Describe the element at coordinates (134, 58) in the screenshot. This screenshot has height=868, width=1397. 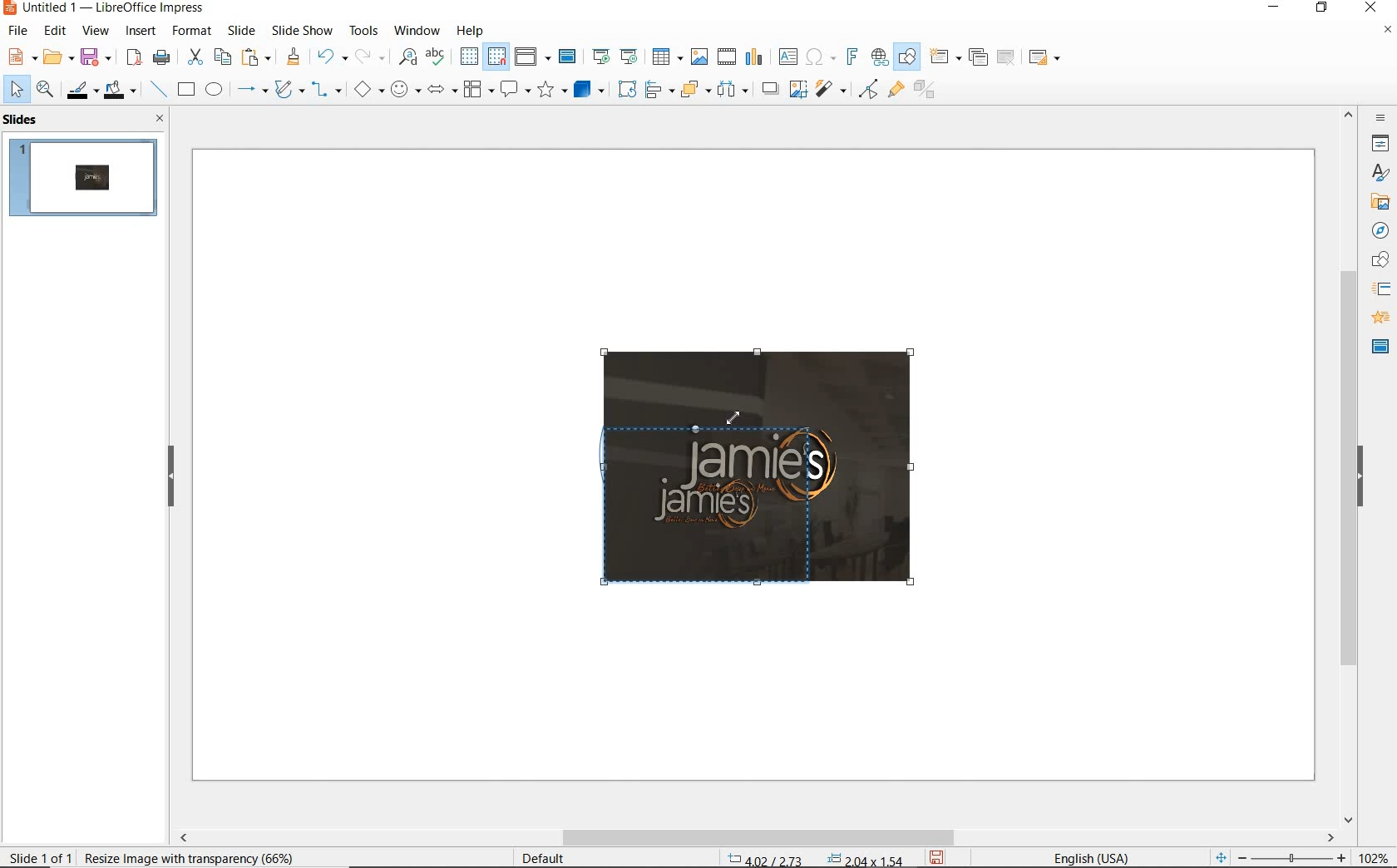
I see `export as PDF` at that location.